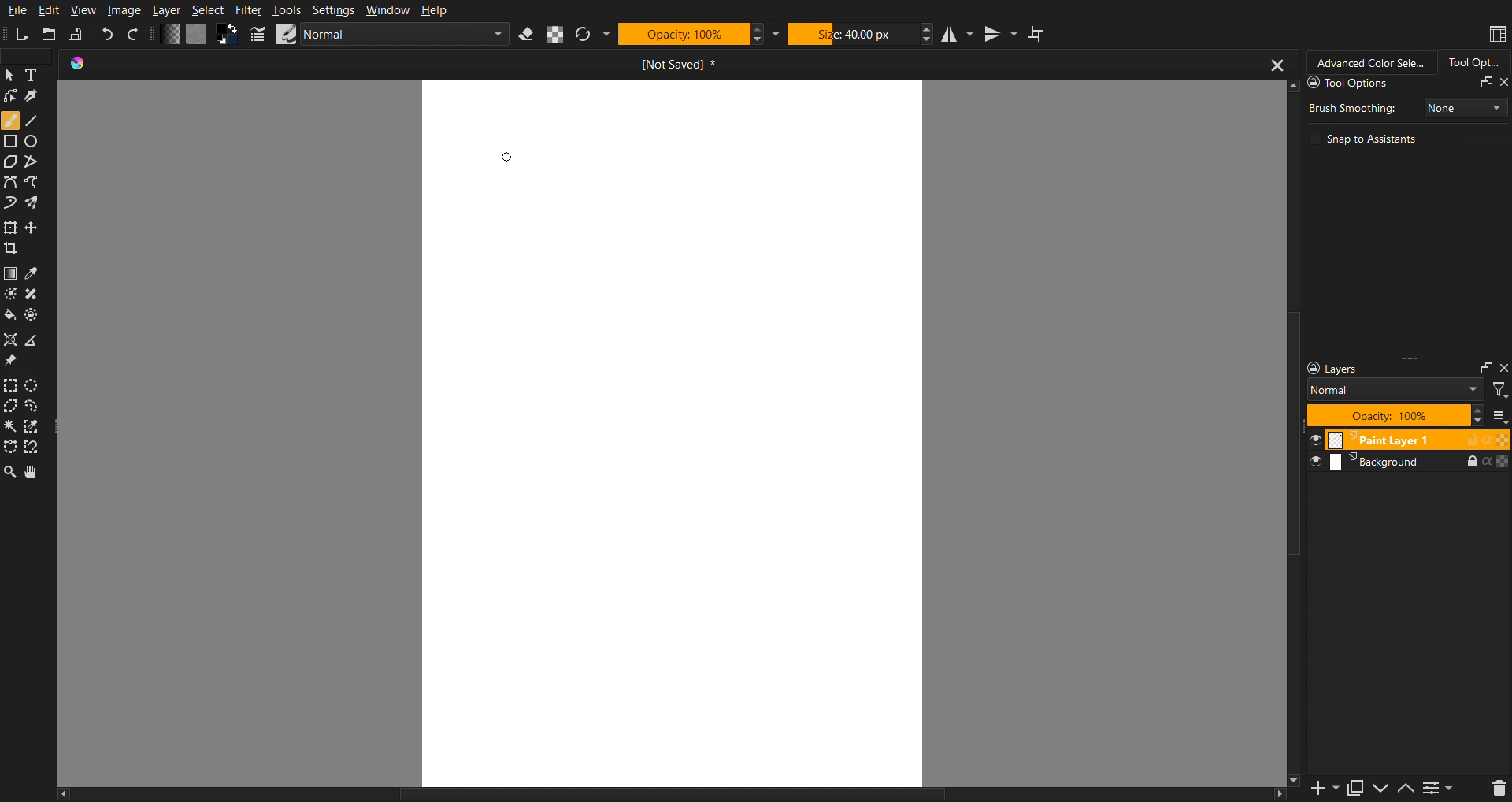 The width and height of the screenshot is (1512, 802). What do you see at coordinates (77, 33) in the screenshot?
I see `Save` at bounding box center [77, 33].